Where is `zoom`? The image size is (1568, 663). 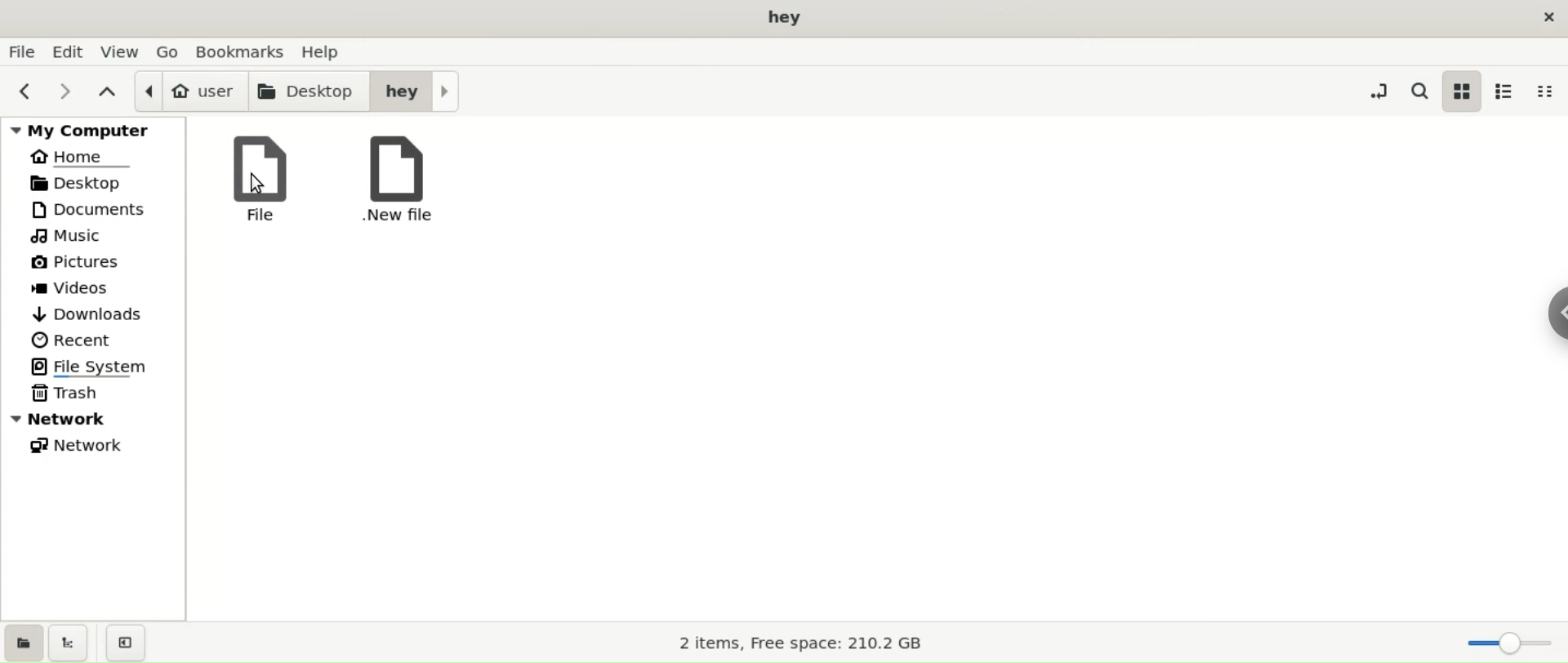 zoom is located at coordinates (1506, 642).